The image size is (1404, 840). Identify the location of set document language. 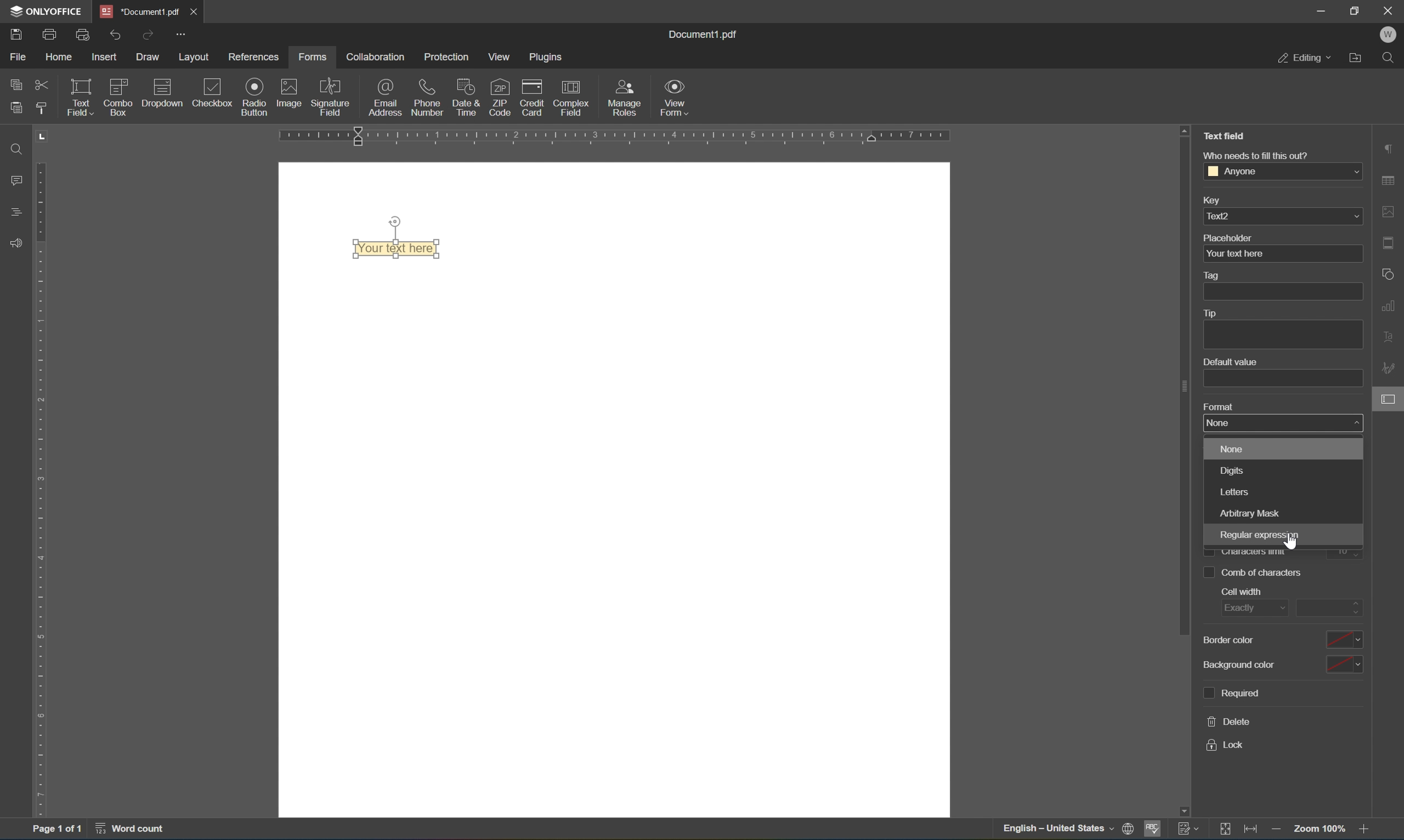
(1067, 830).